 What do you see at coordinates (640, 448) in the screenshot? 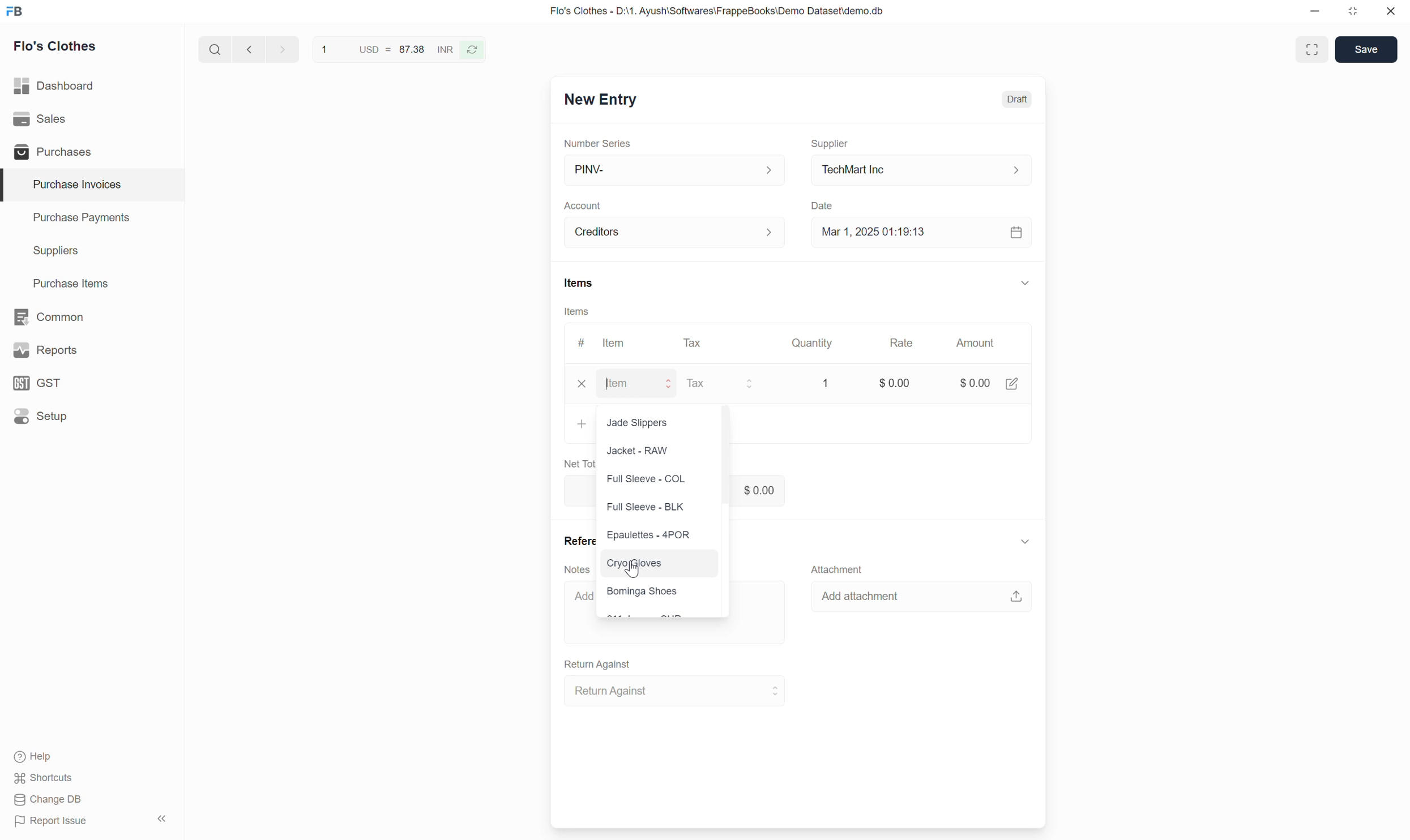
I see `Jacket - RAW` at bounding box center [640, 448].